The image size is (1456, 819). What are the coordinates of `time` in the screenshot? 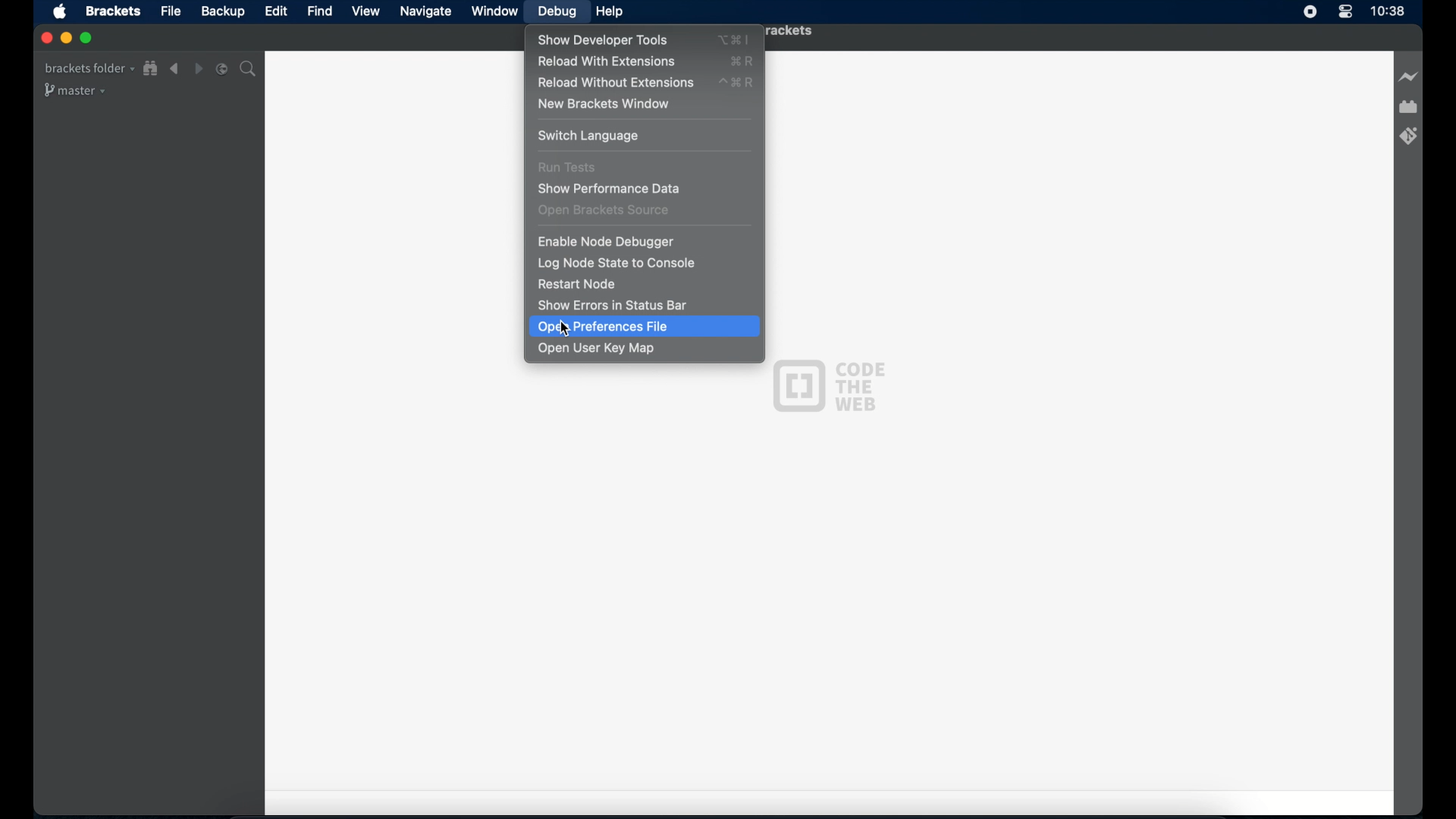 It's located at (1388, 11).